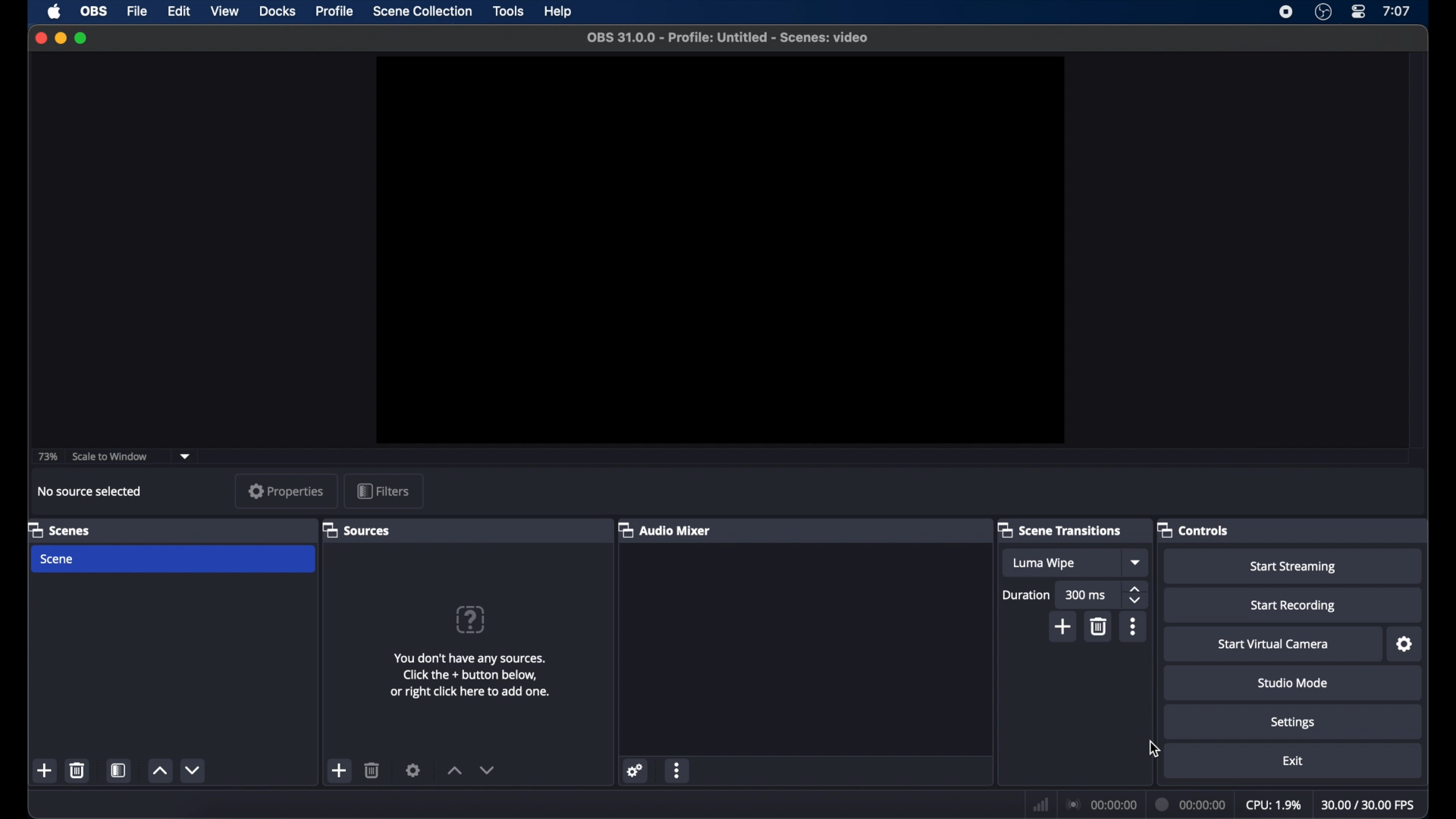 The image size is (1456, 819). What do you see at coordinates (1397, 11) in the screenshot?
I see `time` at bounding box center [1397, 11].